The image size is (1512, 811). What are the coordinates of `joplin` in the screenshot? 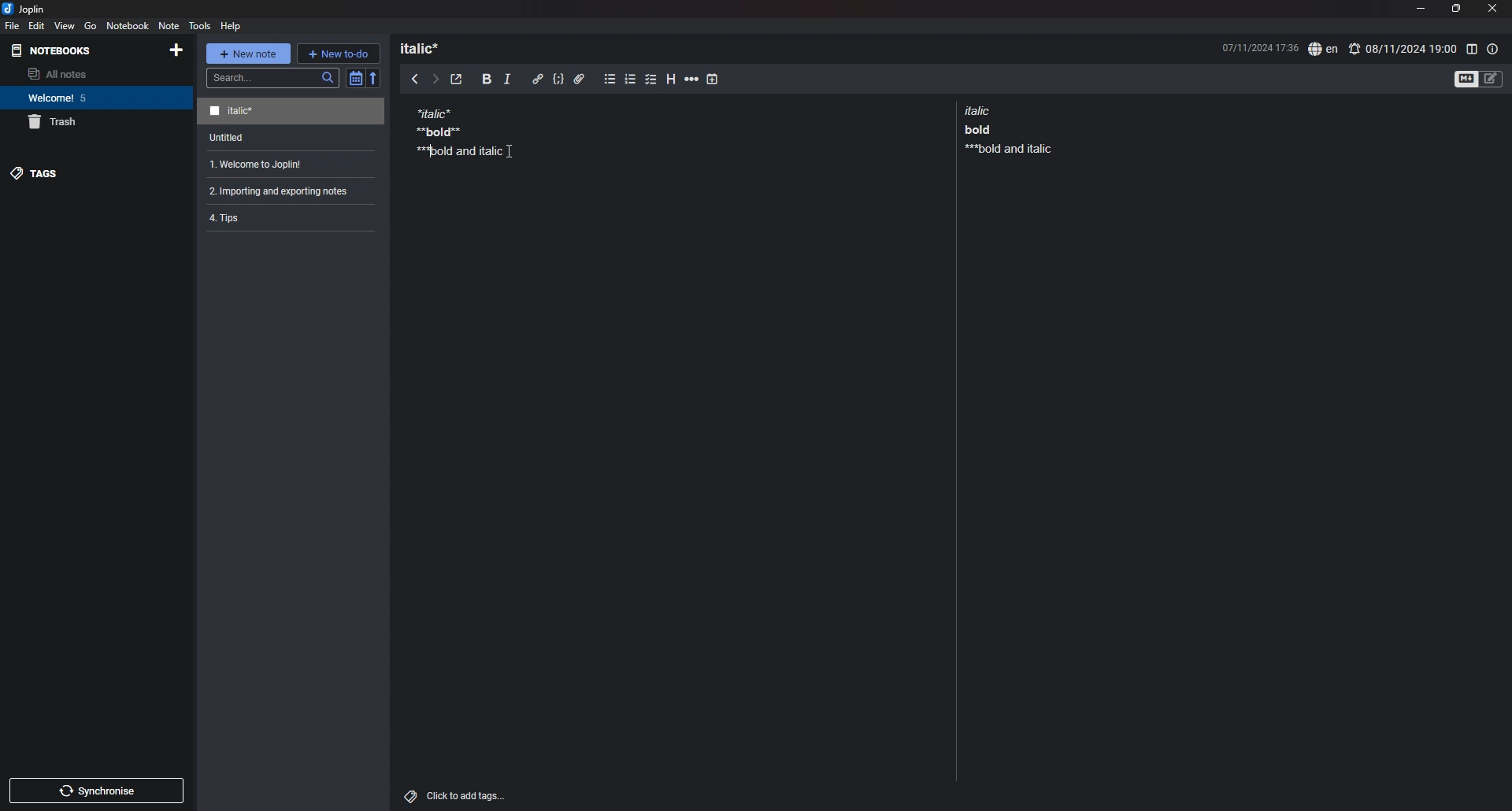 It's located at (24, 9).